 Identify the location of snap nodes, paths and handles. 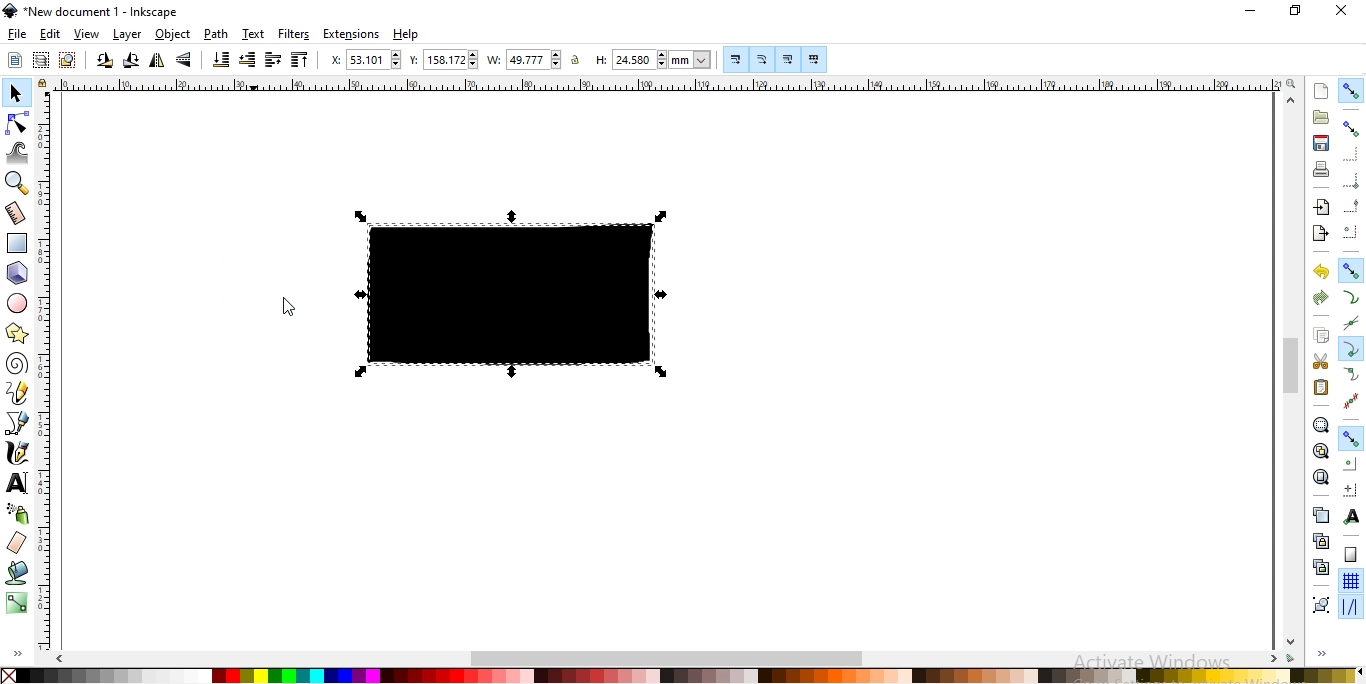
(1351, 271).